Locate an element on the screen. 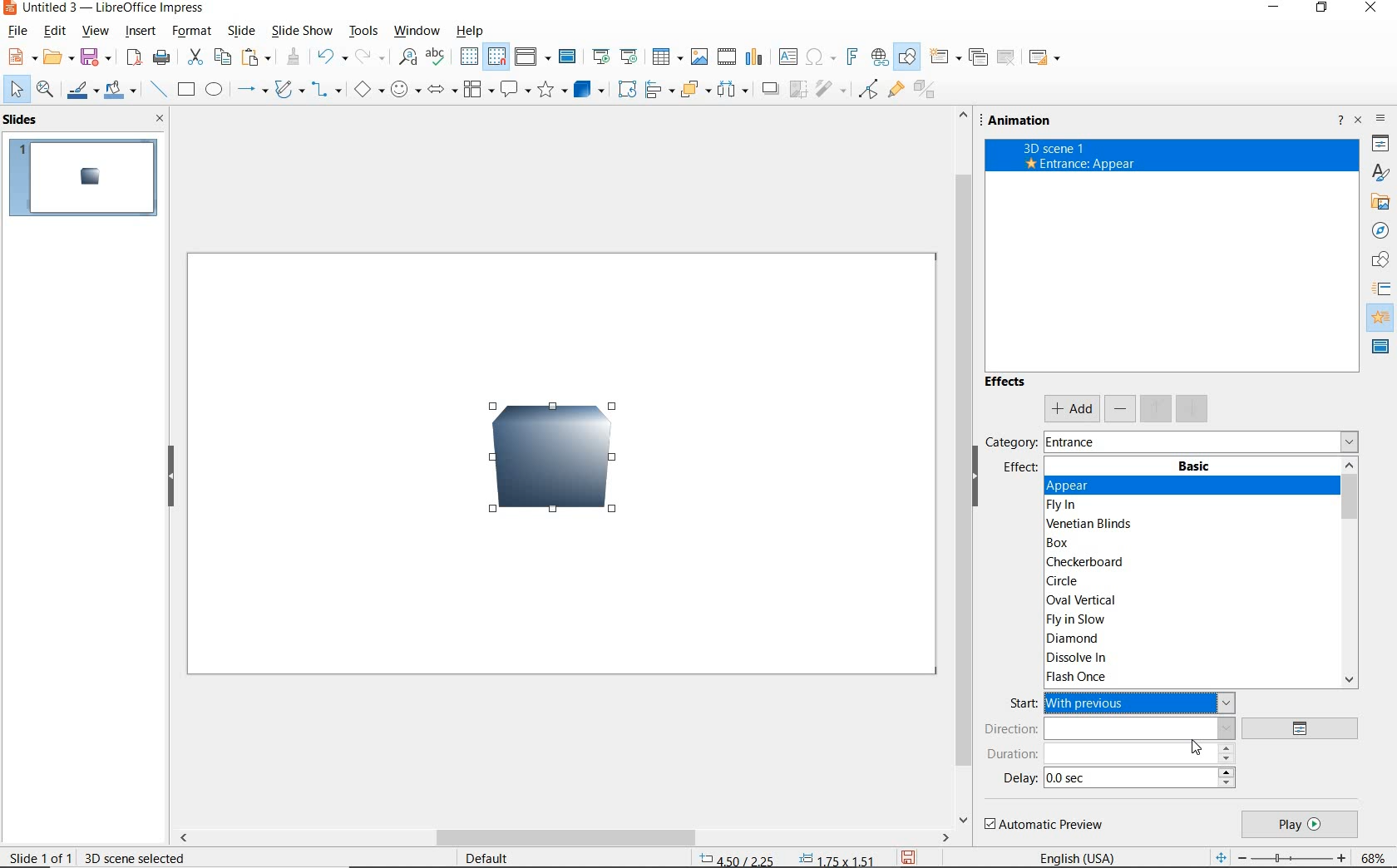 The width and height of the screenshot is (1397, 868). select is located at coordinates (14, 89).